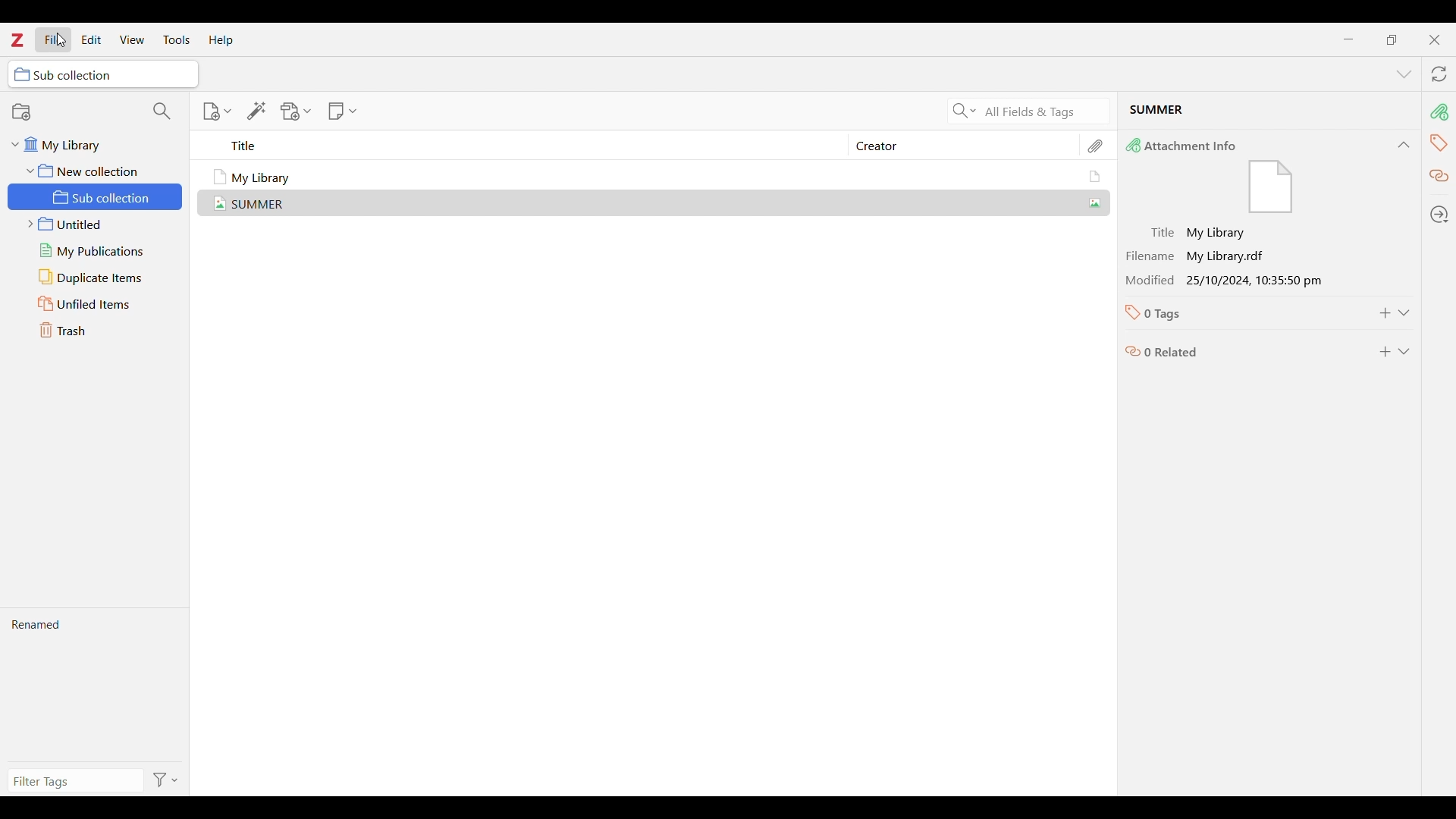 This screenshot has width=1456, height=819. I want to click on Tags, so click(1439, 144).